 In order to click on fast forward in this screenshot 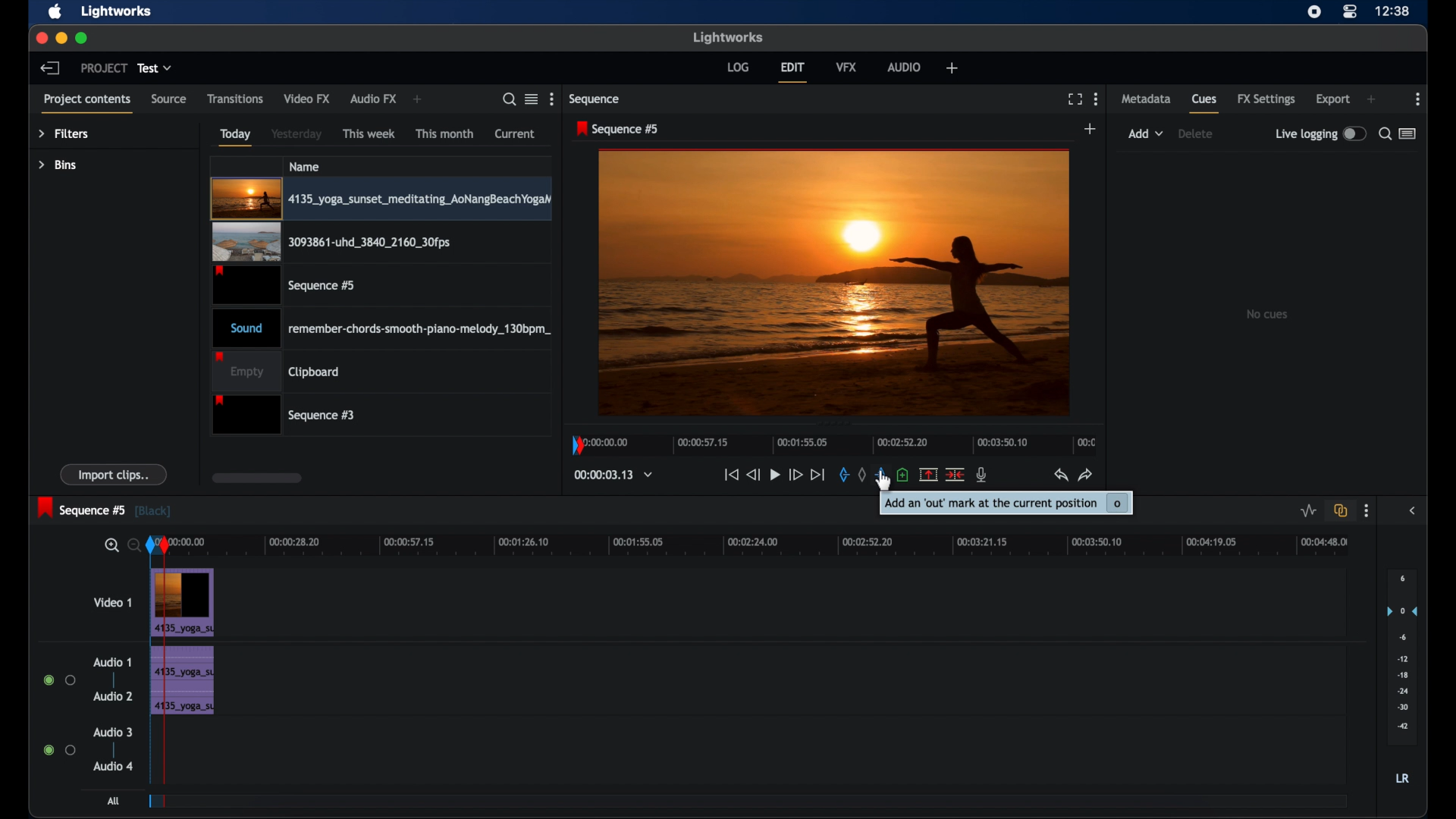, I will do `click(795, 475)`.